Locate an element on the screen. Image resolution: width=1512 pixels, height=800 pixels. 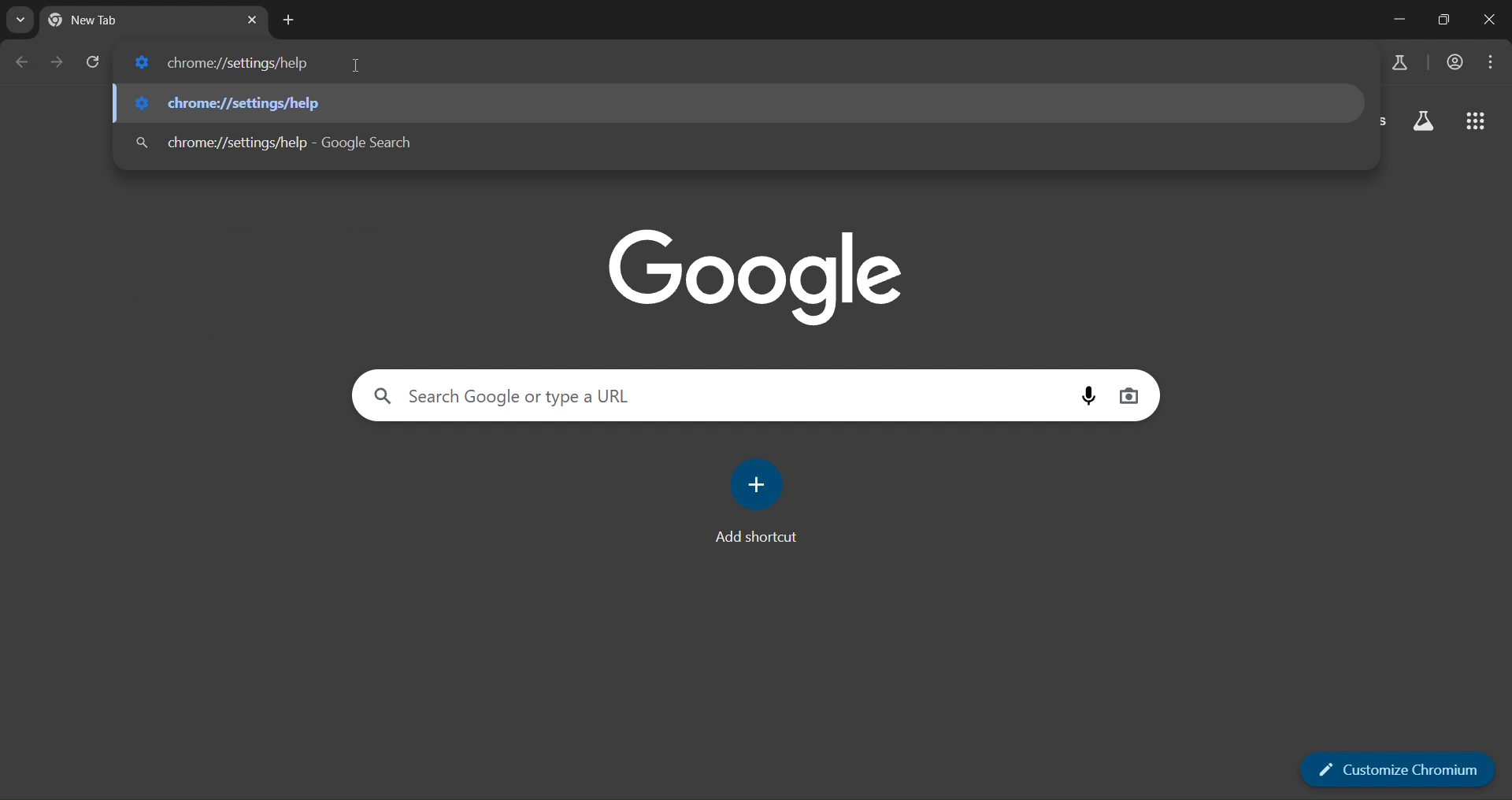
Close is located at coordinates (1487, 18).